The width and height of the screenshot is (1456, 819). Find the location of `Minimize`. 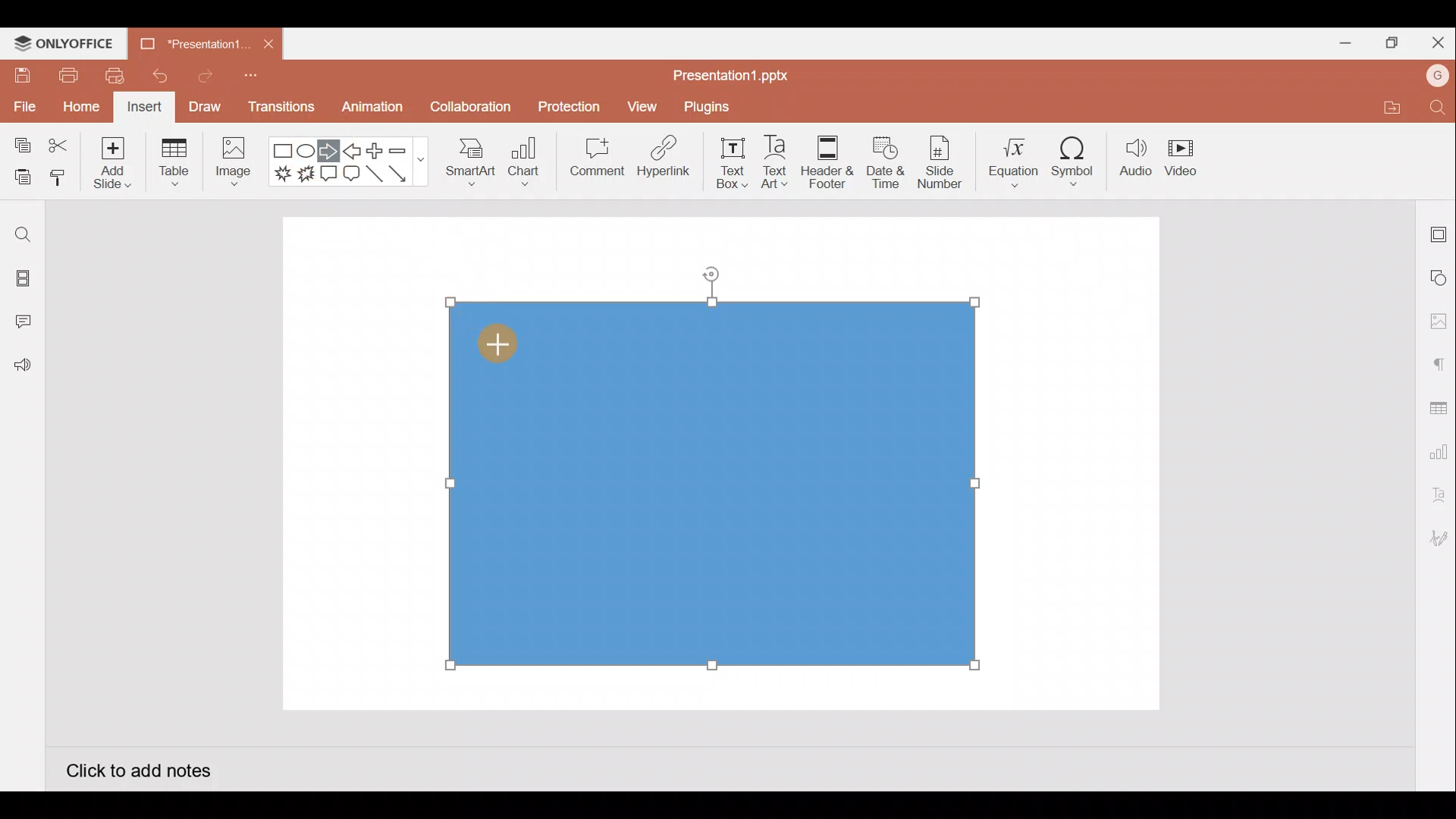

Minimize is located at coordinates (1339, 40).